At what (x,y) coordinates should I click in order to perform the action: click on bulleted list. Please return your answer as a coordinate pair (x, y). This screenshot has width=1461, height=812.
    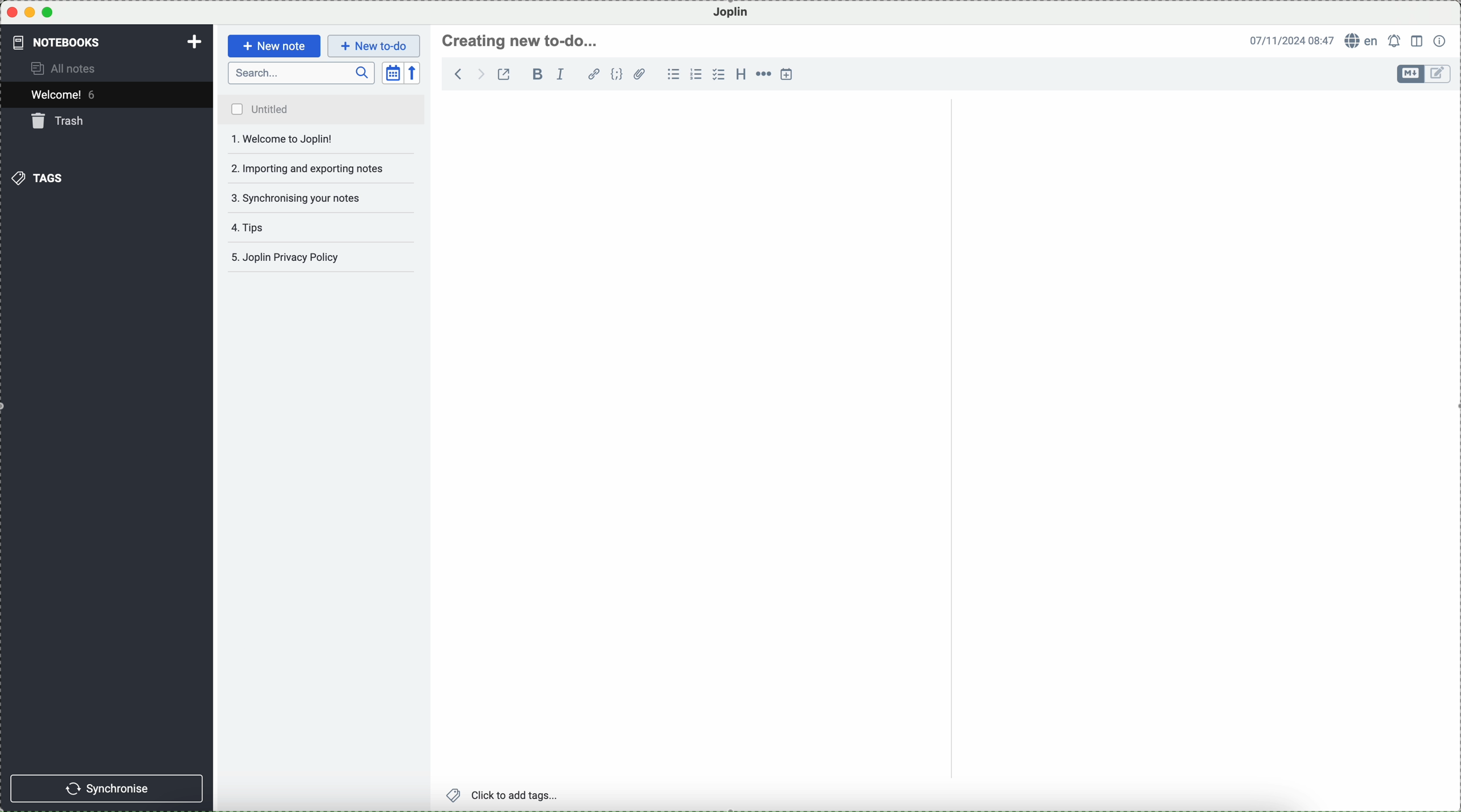
    Looking at the image, I should click on (673, 74).